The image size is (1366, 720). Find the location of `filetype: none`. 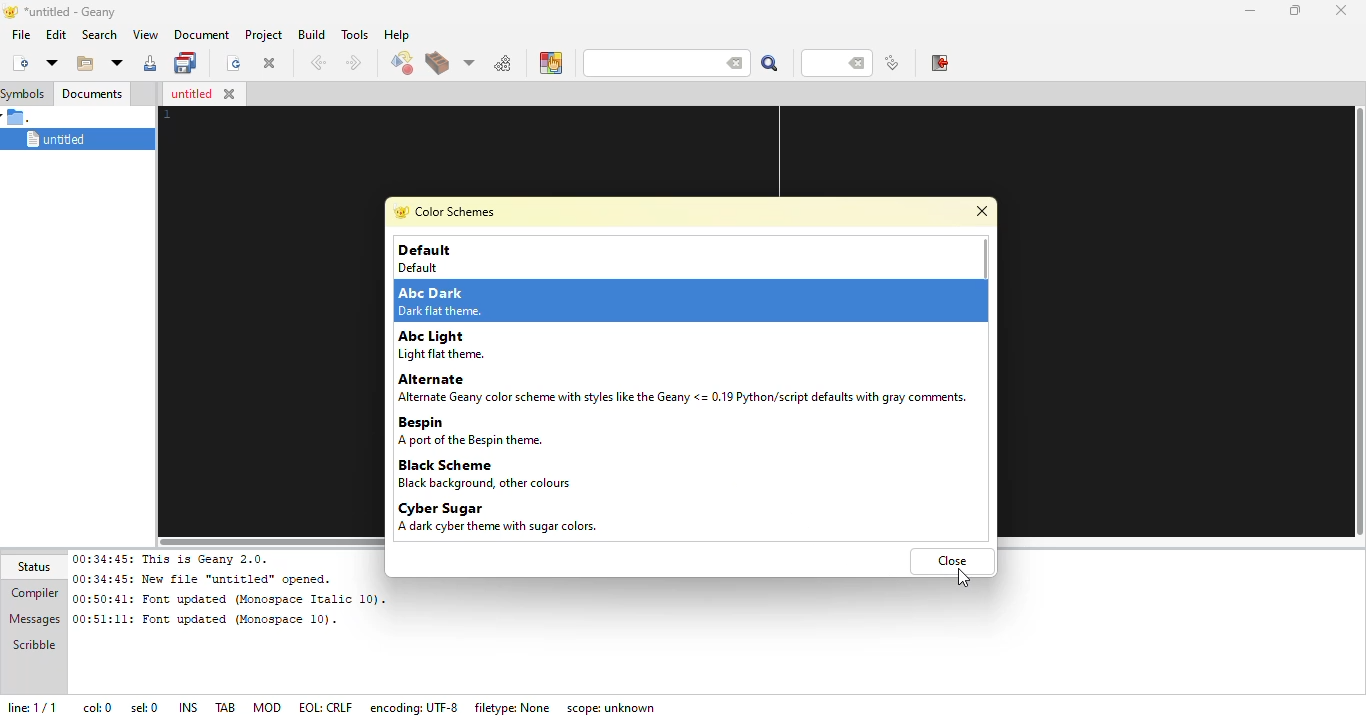

filetype: none is located at coordinates (513, 705).